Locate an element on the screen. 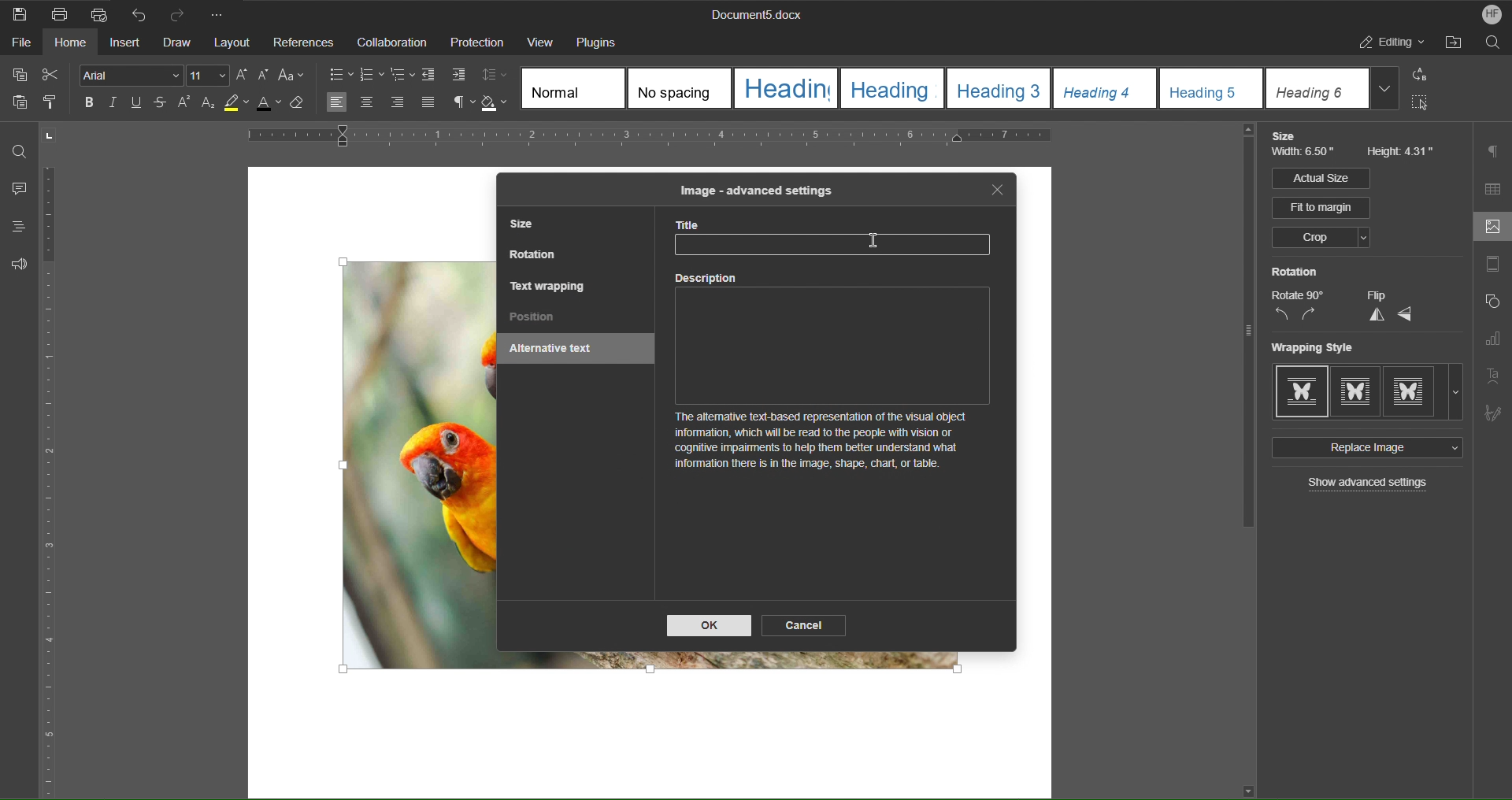  Home is located at coordinates (72, 45).